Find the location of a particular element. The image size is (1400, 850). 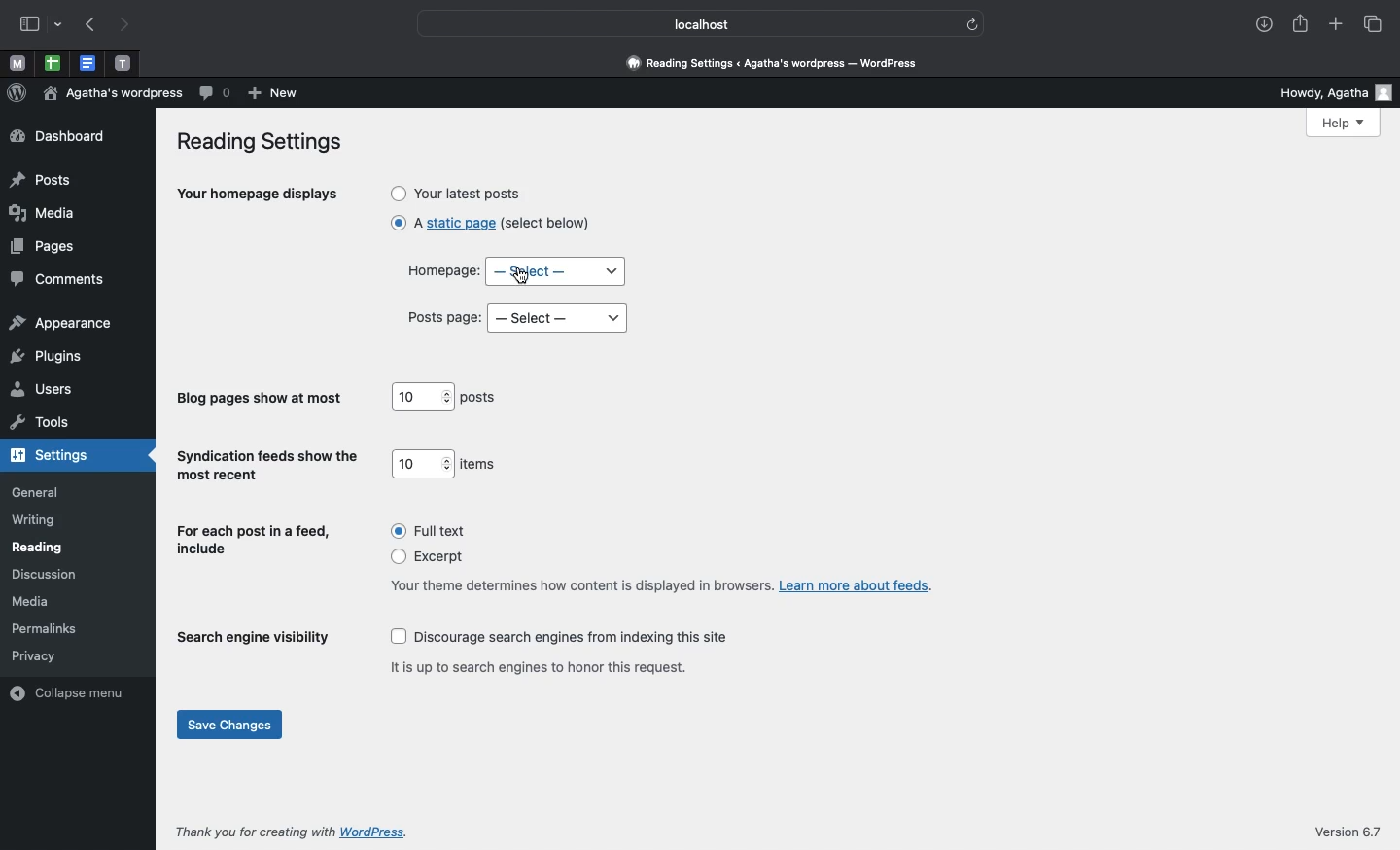

discussion is located at coordinates (44, 575).